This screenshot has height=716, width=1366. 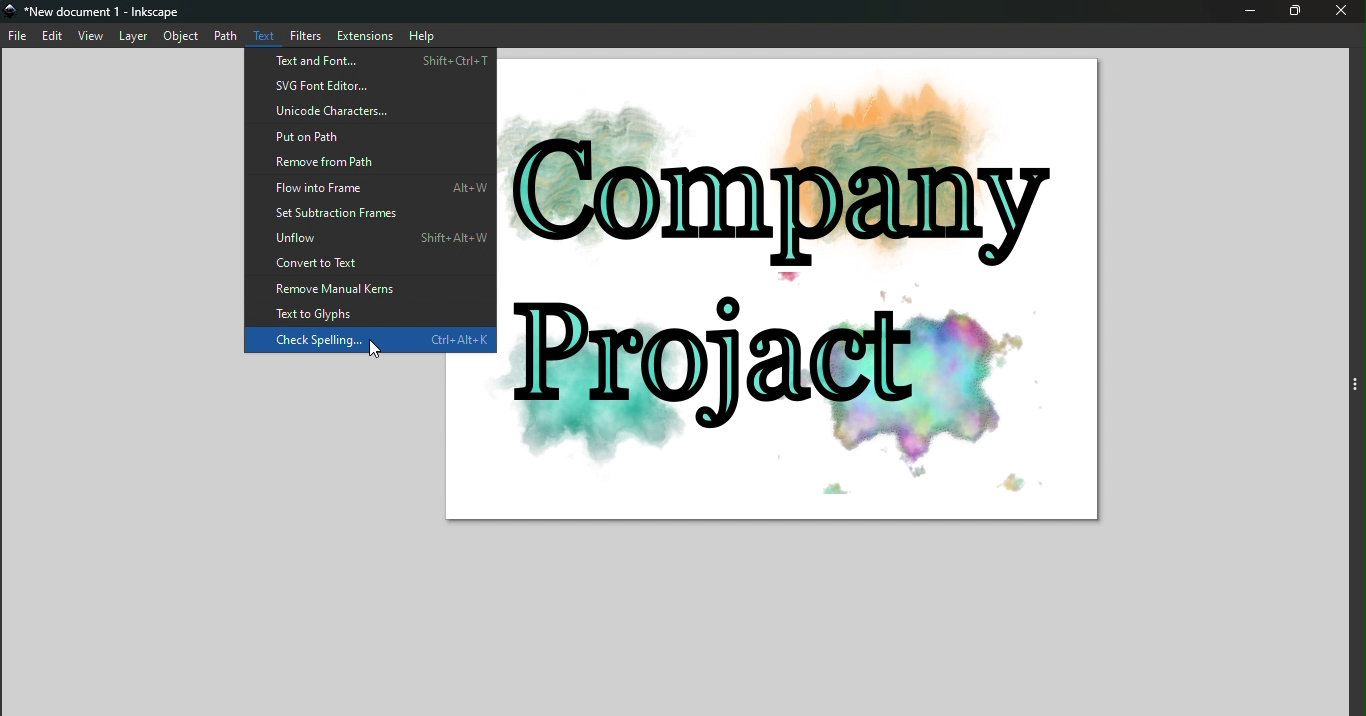 I want to click on  *New document 1 - Inkscape, so click(x=110, y=12).